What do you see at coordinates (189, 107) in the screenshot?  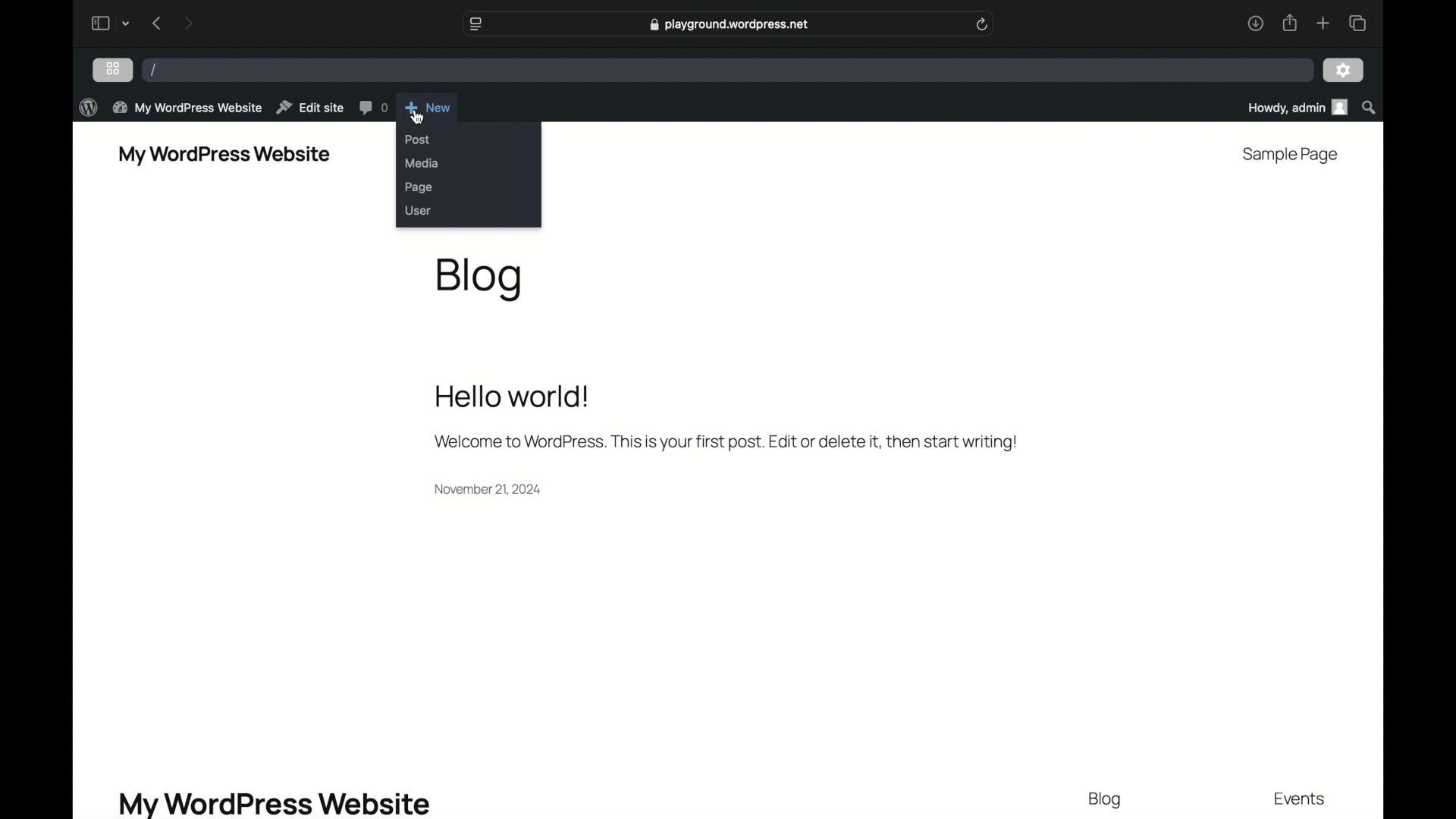 I see `my wordpress website` at bounding box center [189, 107].